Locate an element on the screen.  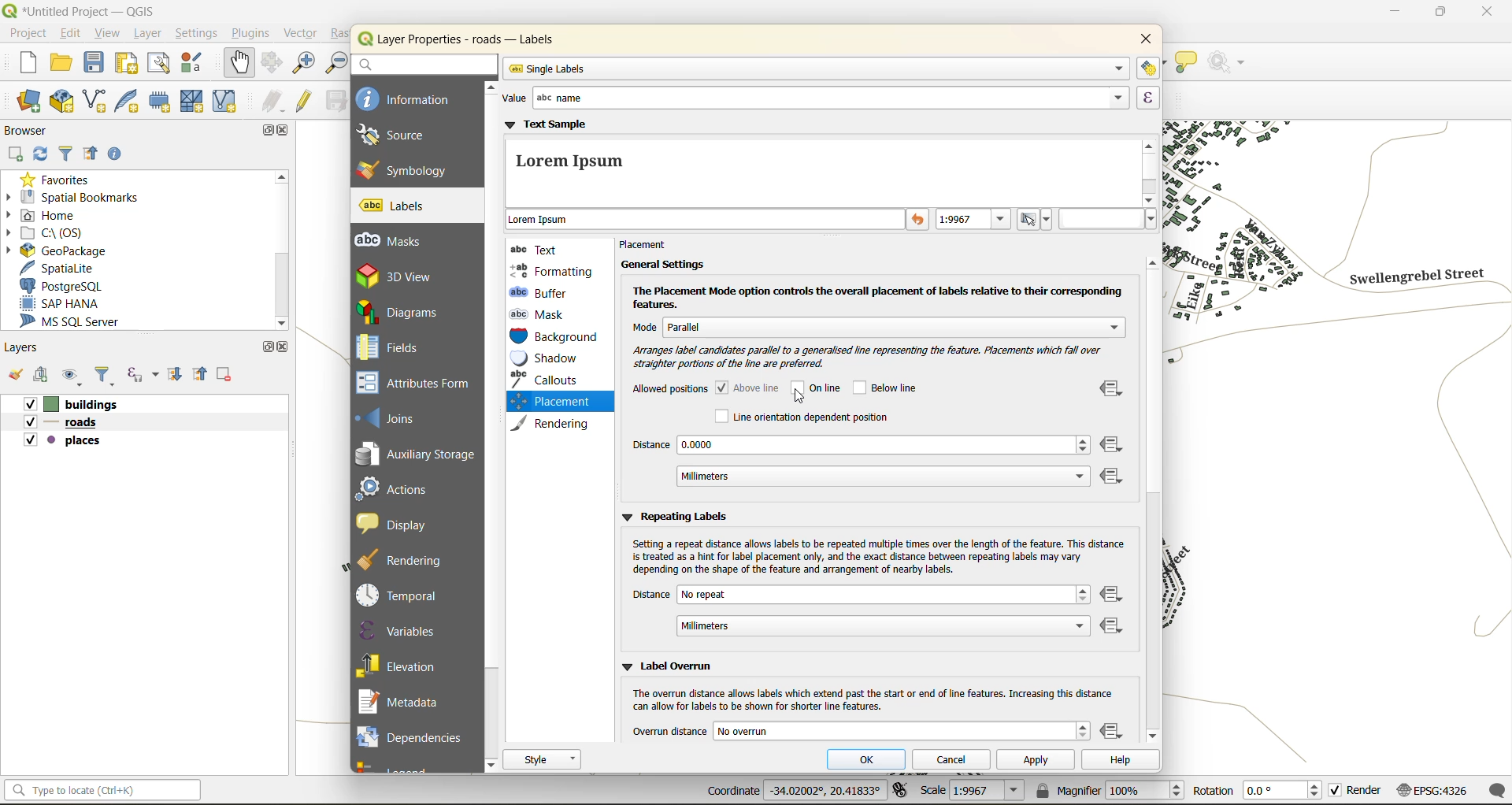
style is located at coordinates (543, 759).